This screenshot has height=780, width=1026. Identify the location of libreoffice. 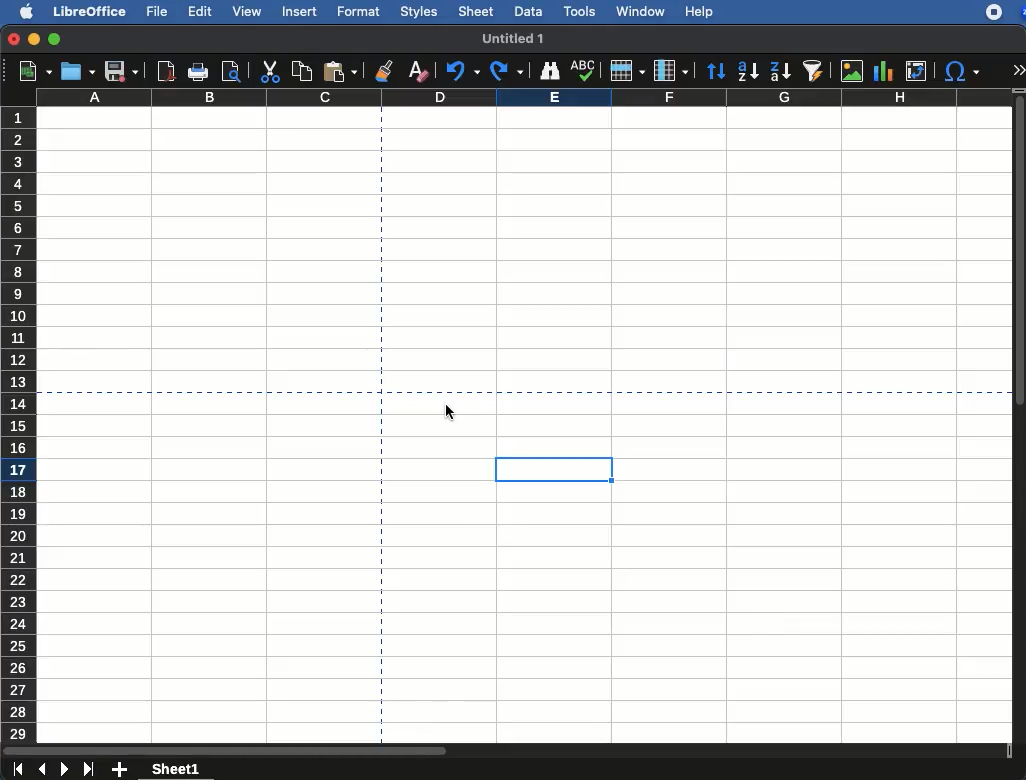
(90, 10).